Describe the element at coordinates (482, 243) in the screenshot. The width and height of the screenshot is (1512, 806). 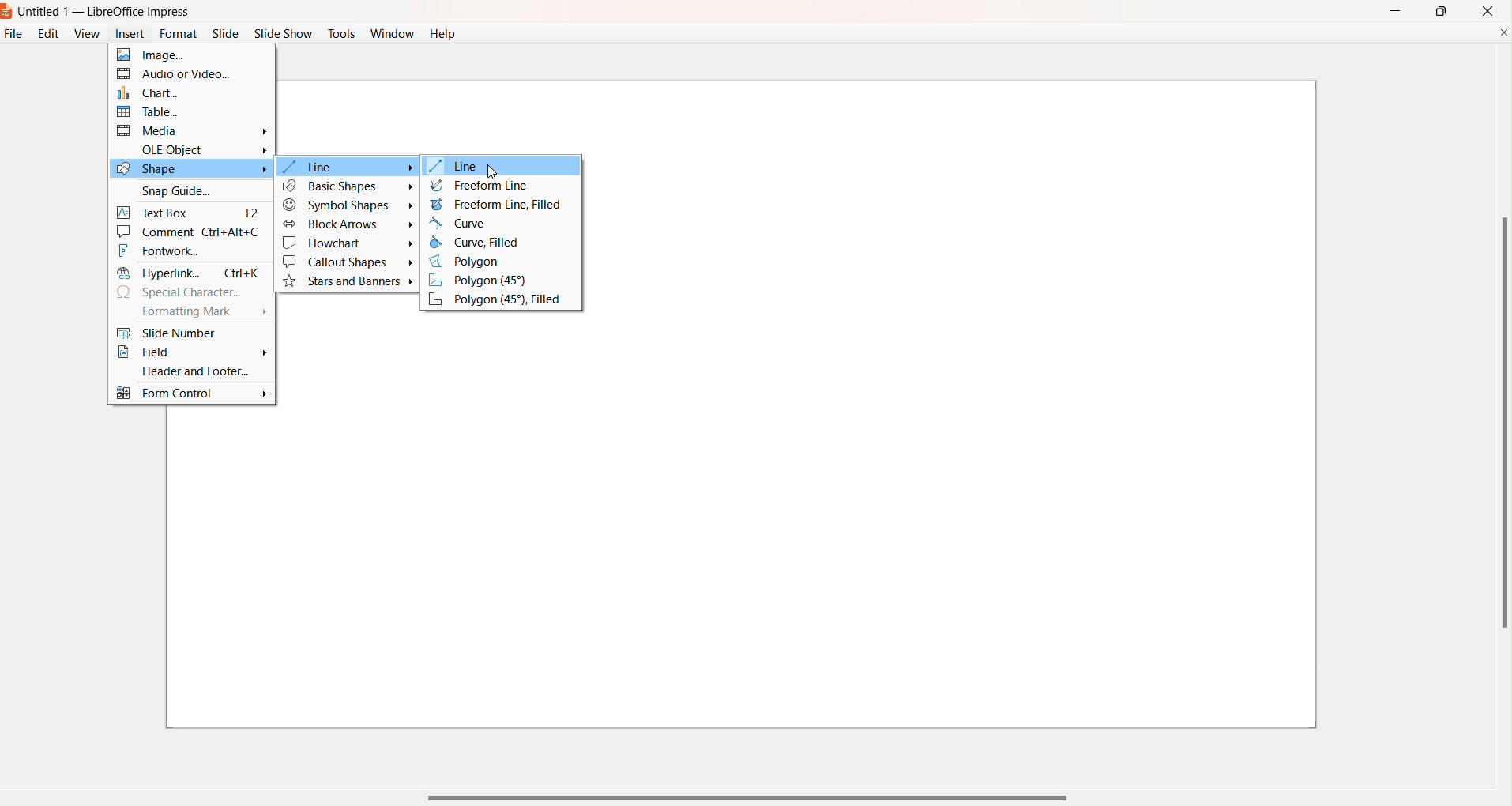
I see `Curve Filled` at that location.